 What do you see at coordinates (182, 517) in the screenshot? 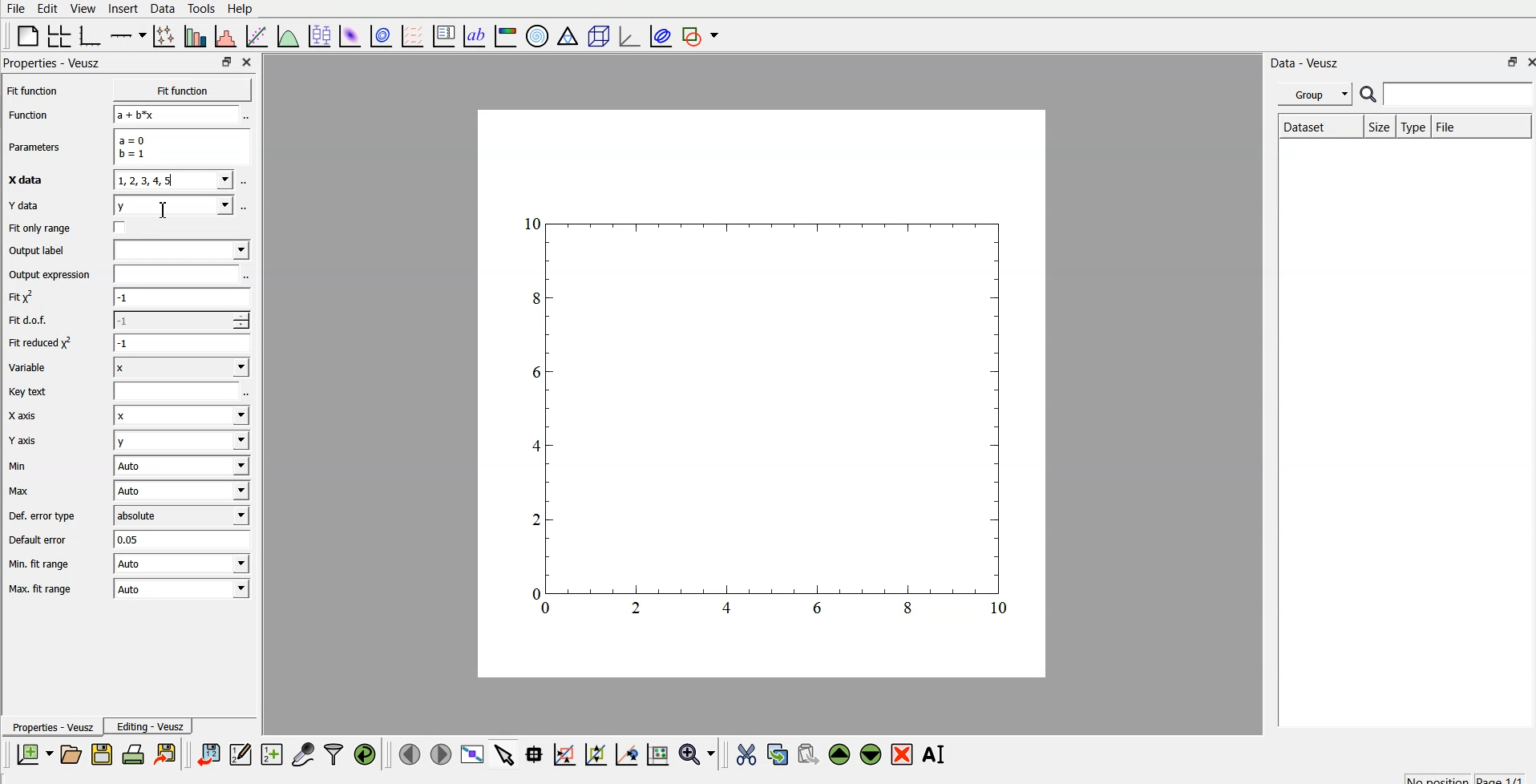
I see `absolute` at bounding box center [182, 517].